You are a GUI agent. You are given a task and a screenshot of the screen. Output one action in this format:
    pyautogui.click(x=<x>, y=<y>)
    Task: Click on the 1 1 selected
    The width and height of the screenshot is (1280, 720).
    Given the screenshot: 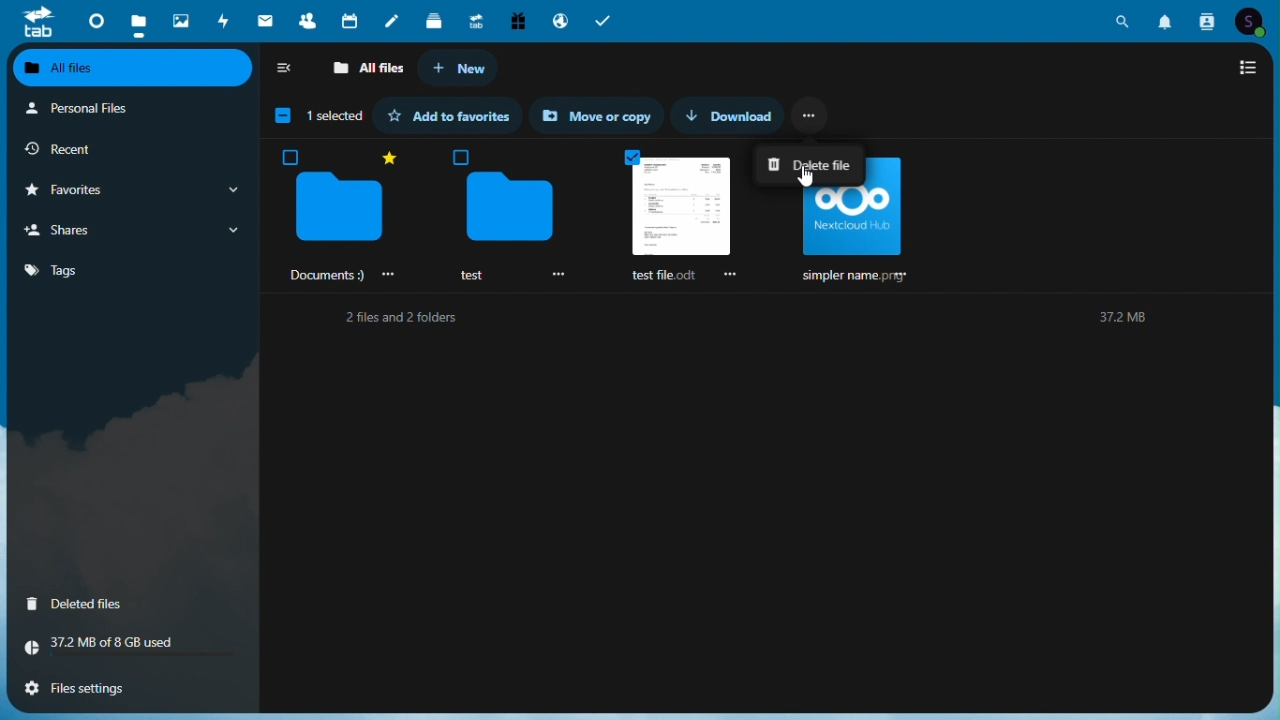 What is the action you would take?
    pyautogui.click(x=320, y=119)
    